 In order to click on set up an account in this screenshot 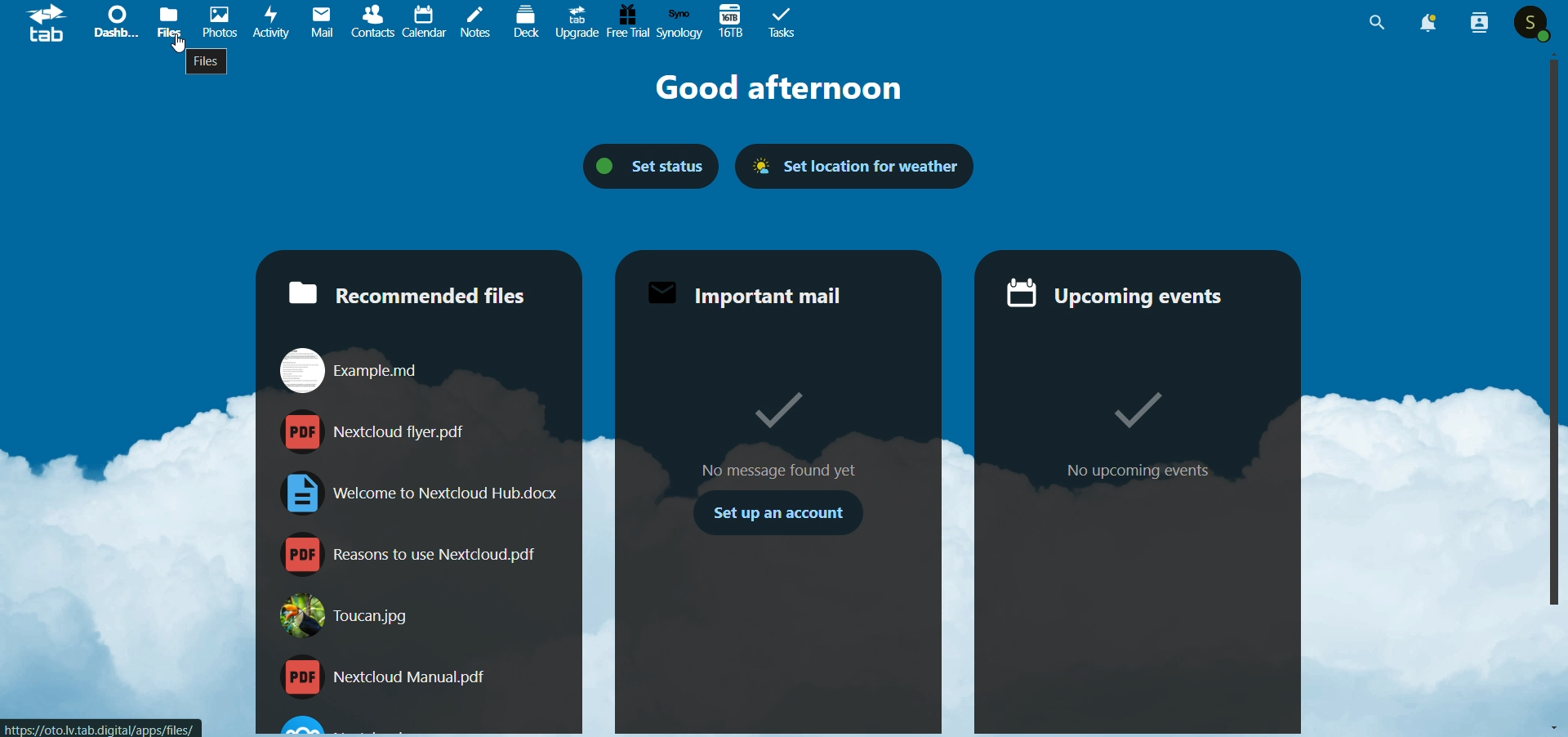, I will do `click(777, 514)`.